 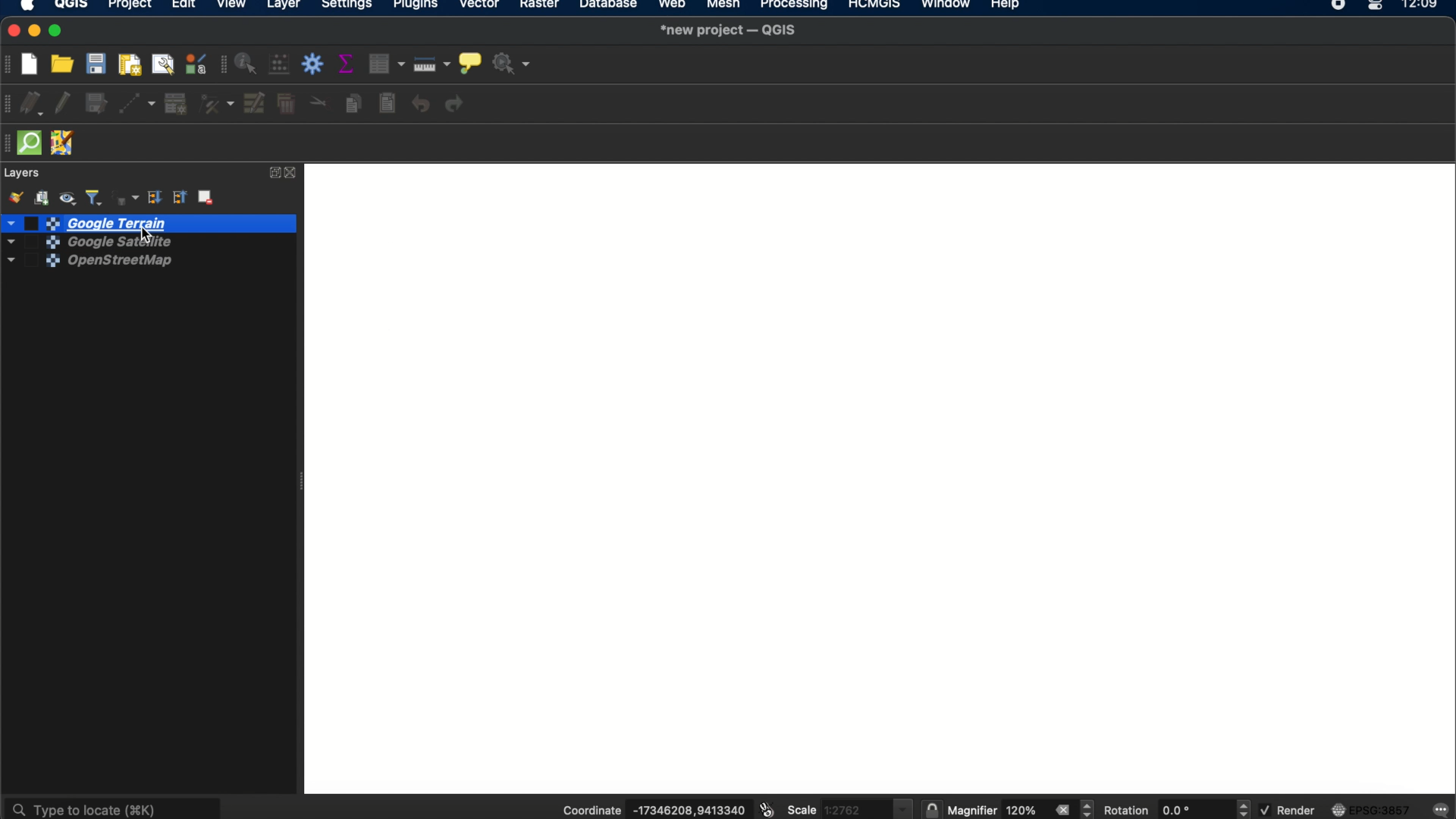 What do you see at coordinates (175, 104) in the screenshot?
I see `add record` at bounding box center [175, 104].